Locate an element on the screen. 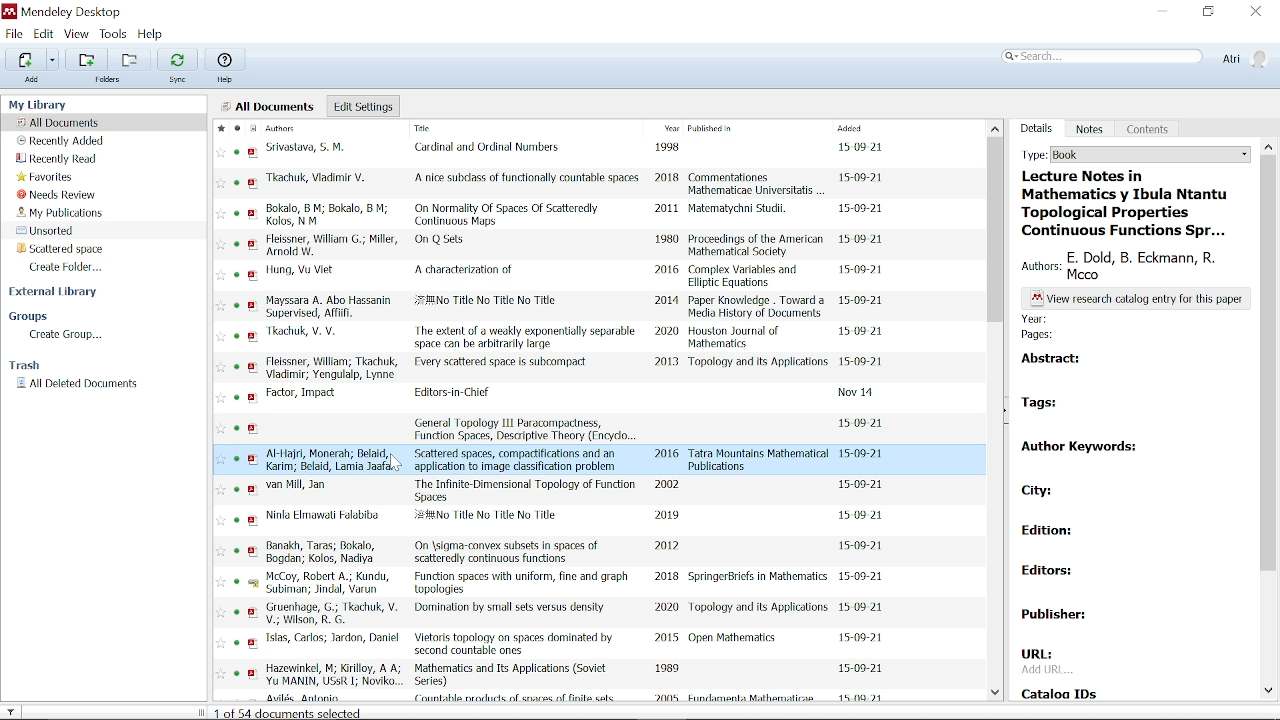  Vertical scrollbar for details is located at coordinates (1269, 362).